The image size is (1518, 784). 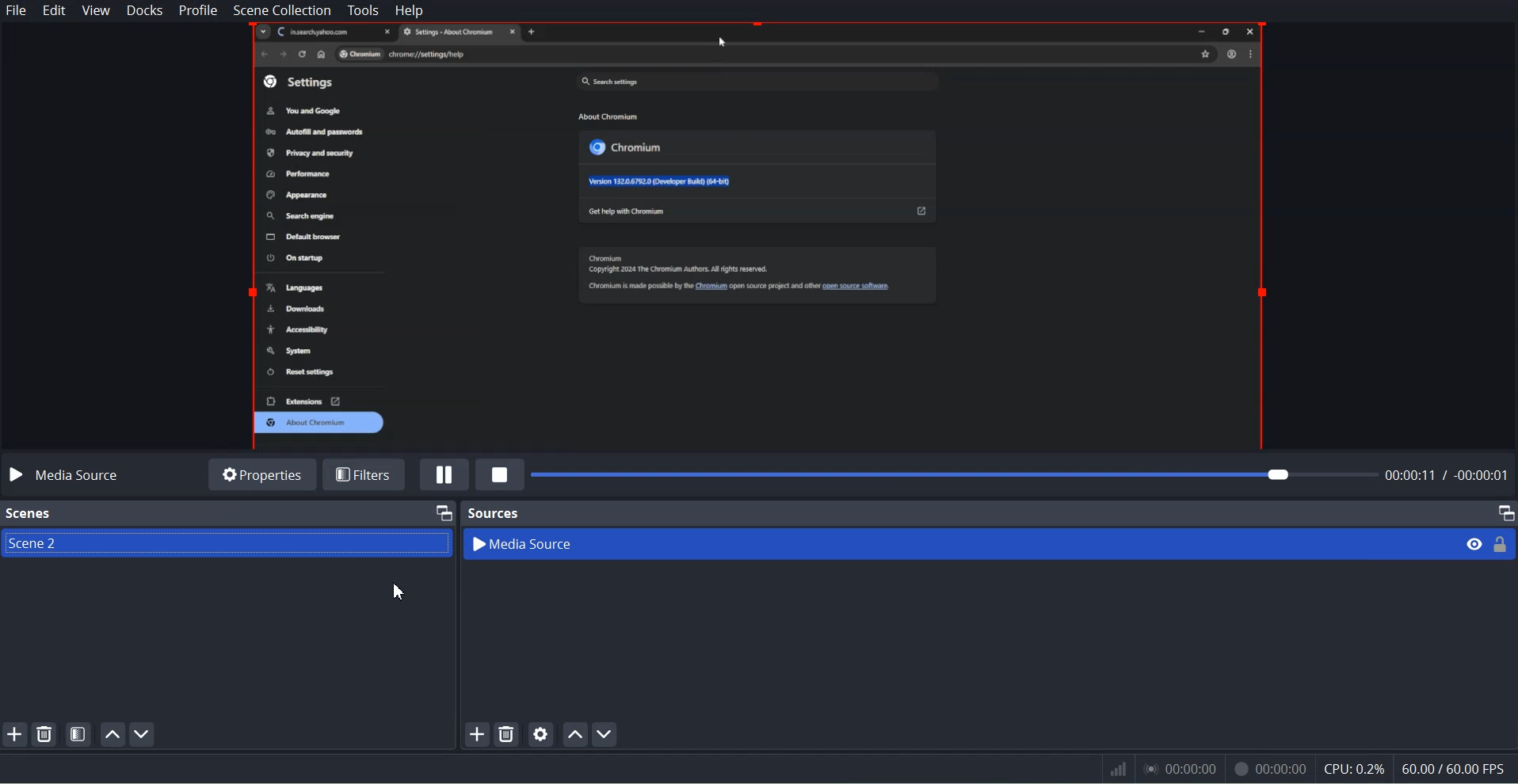 What do you see at coordinates (1505, 512) in the screenshot?
I see `Maximize` at bounding box center [1505, 512].